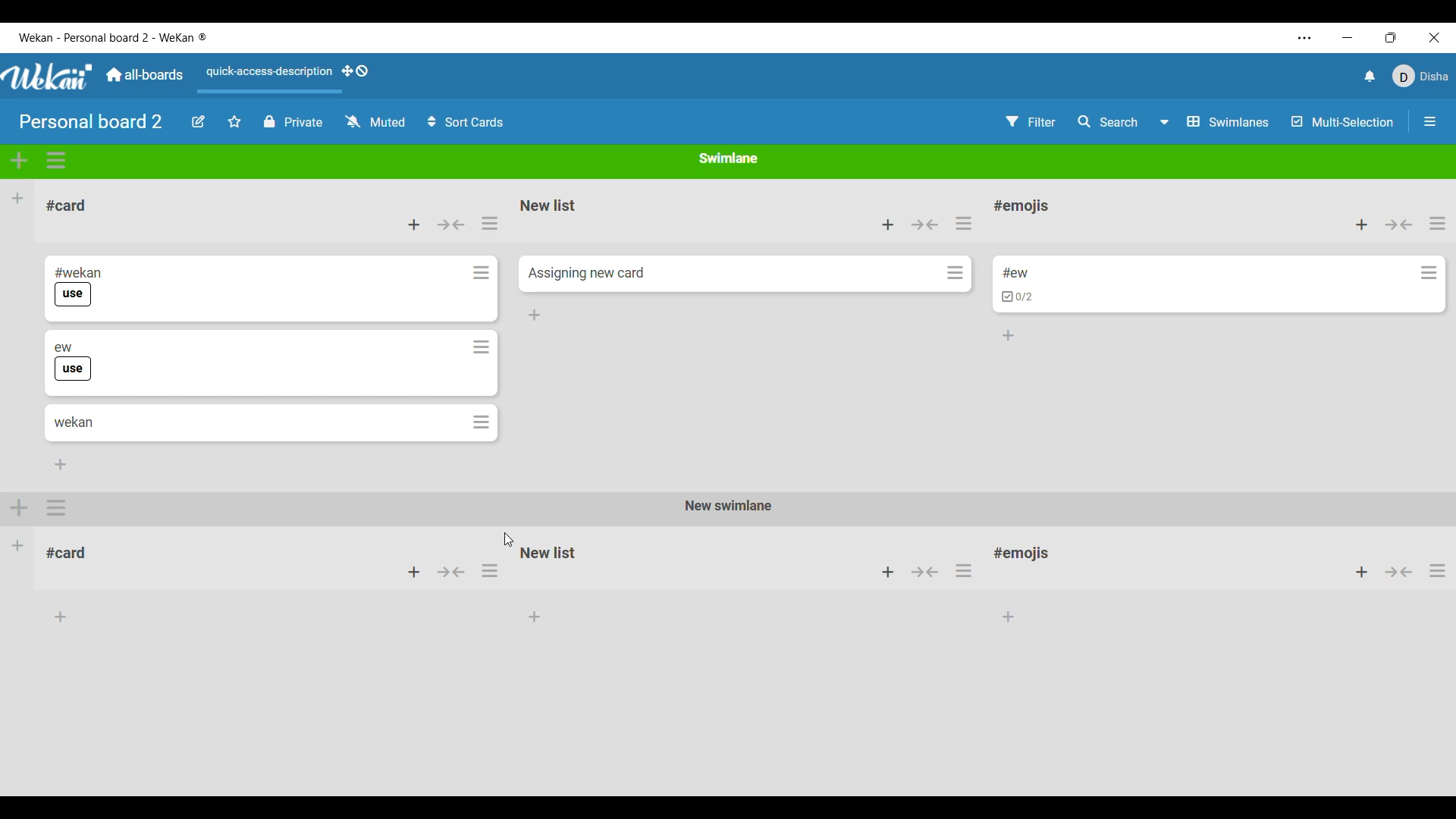 The width and height of the screenshot is (1456, 819). I want to click on Card actions, so click(1429, 273).